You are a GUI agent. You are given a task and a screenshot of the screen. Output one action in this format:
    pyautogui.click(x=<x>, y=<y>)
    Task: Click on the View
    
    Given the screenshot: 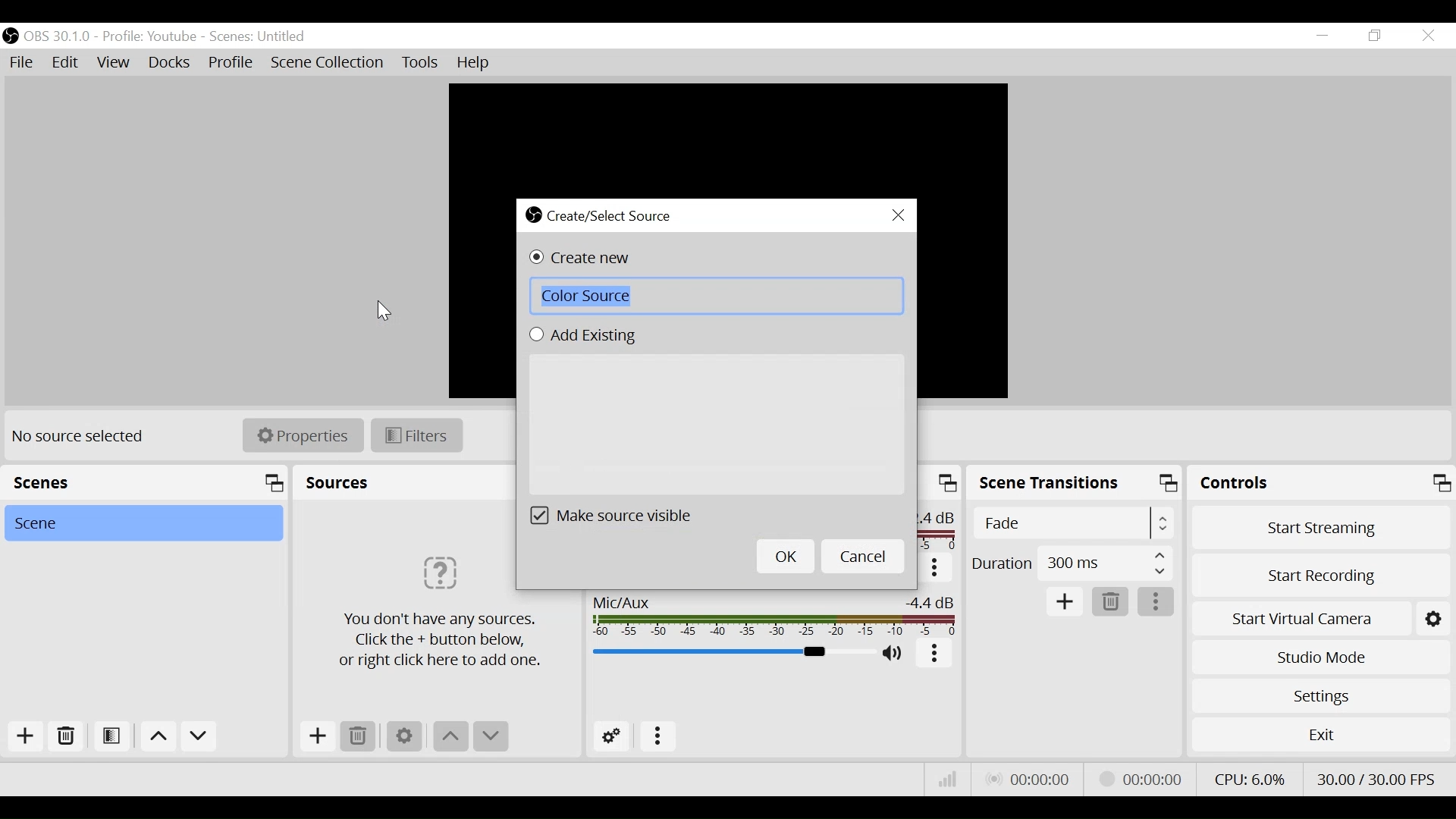 What is the action you would take?
    pyautogui.click(x=112, y=62)
    